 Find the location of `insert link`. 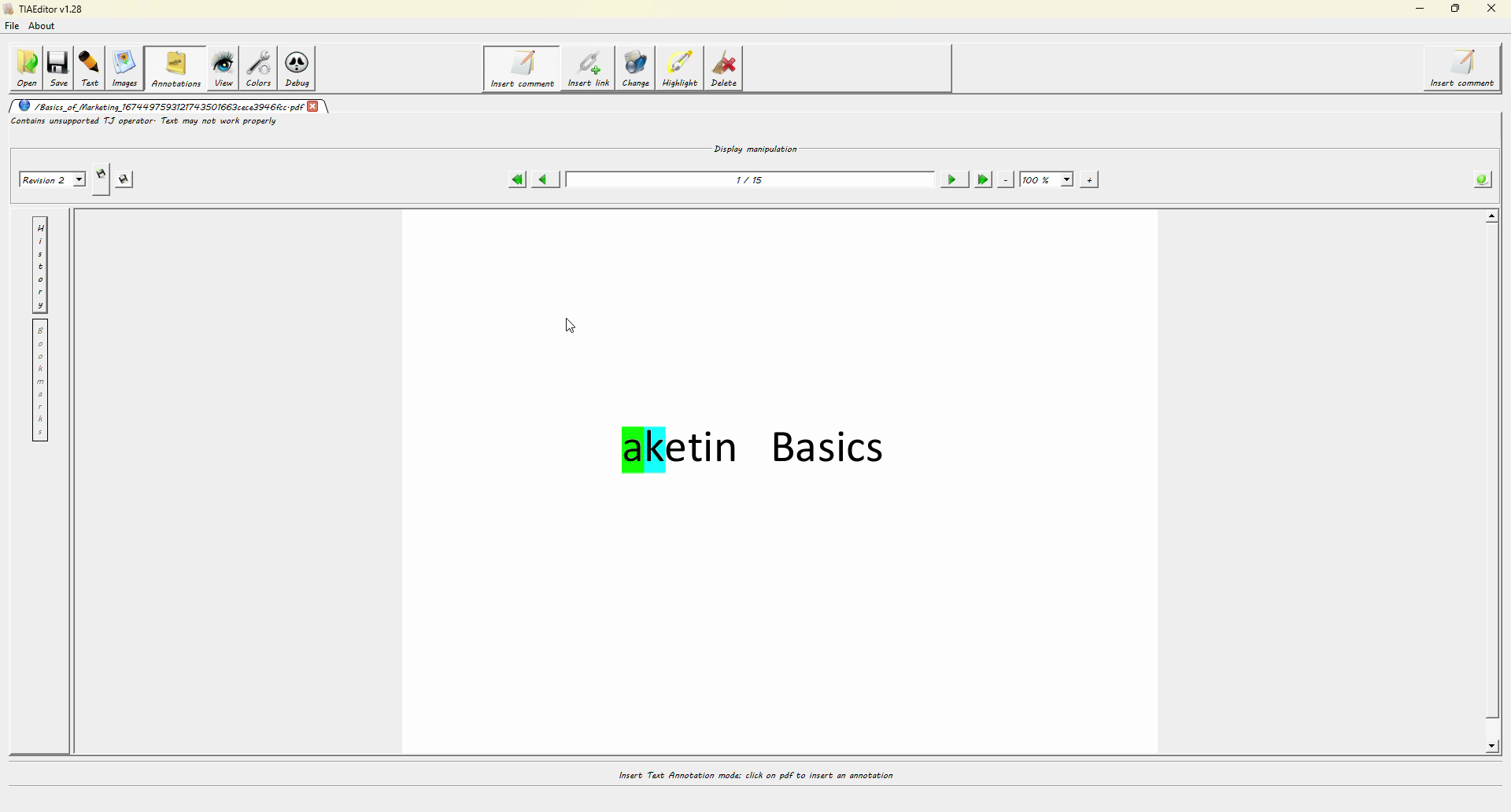

insert link is located at coordinates (588, 71).